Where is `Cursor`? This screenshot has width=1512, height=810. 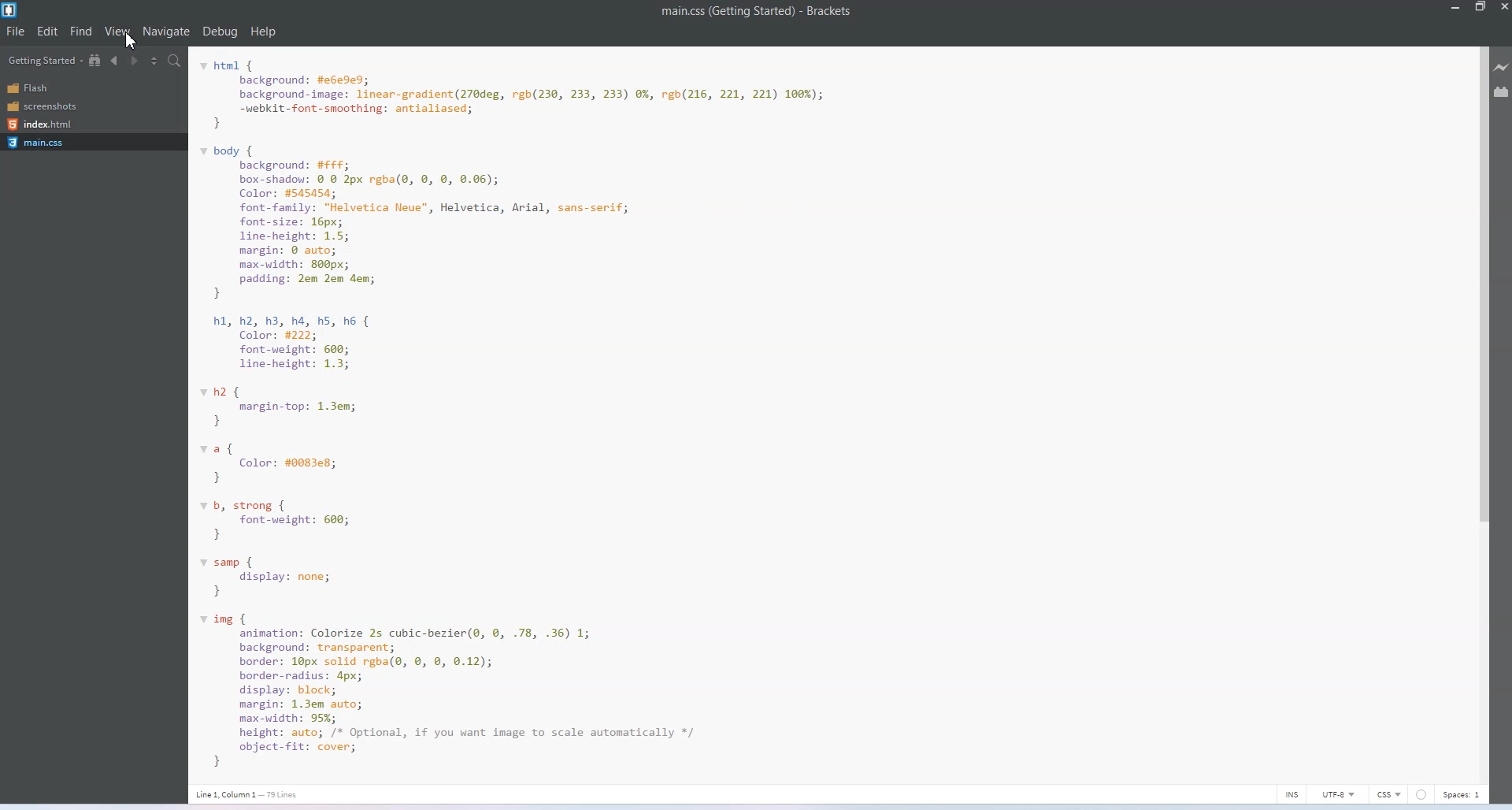 Cursor is located at coordinates (132, 39).